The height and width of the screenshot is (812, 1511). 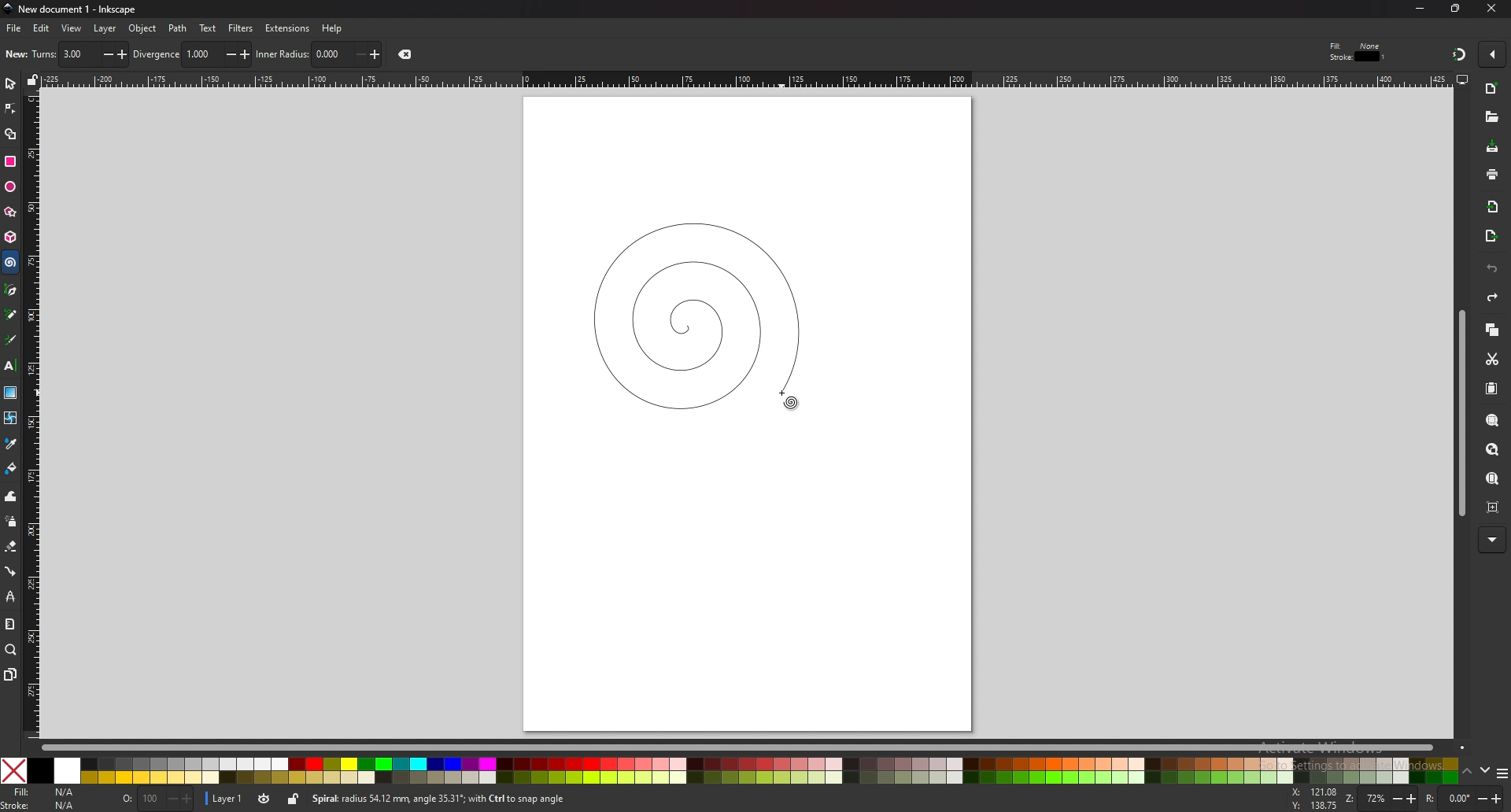 I want to click on snapping, so click(x=1457, y=54).